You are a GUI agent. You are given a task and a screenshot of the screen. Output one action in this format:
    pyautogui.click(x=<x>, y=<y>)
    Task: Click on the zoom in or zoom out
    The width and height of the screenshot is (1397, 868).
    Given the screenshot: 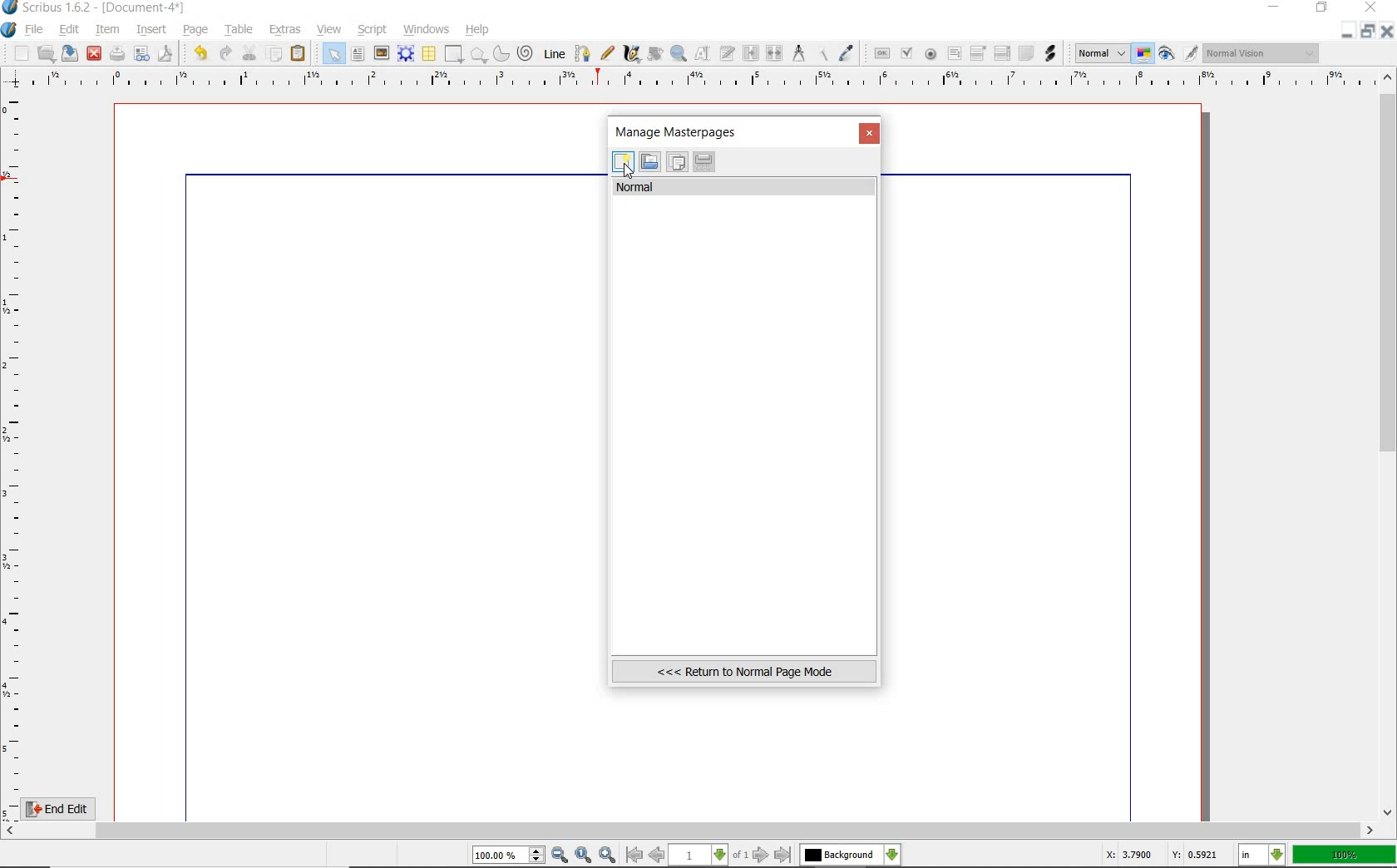 What is the action you would take?
    pyautogui.click(x=679, y=53)
    